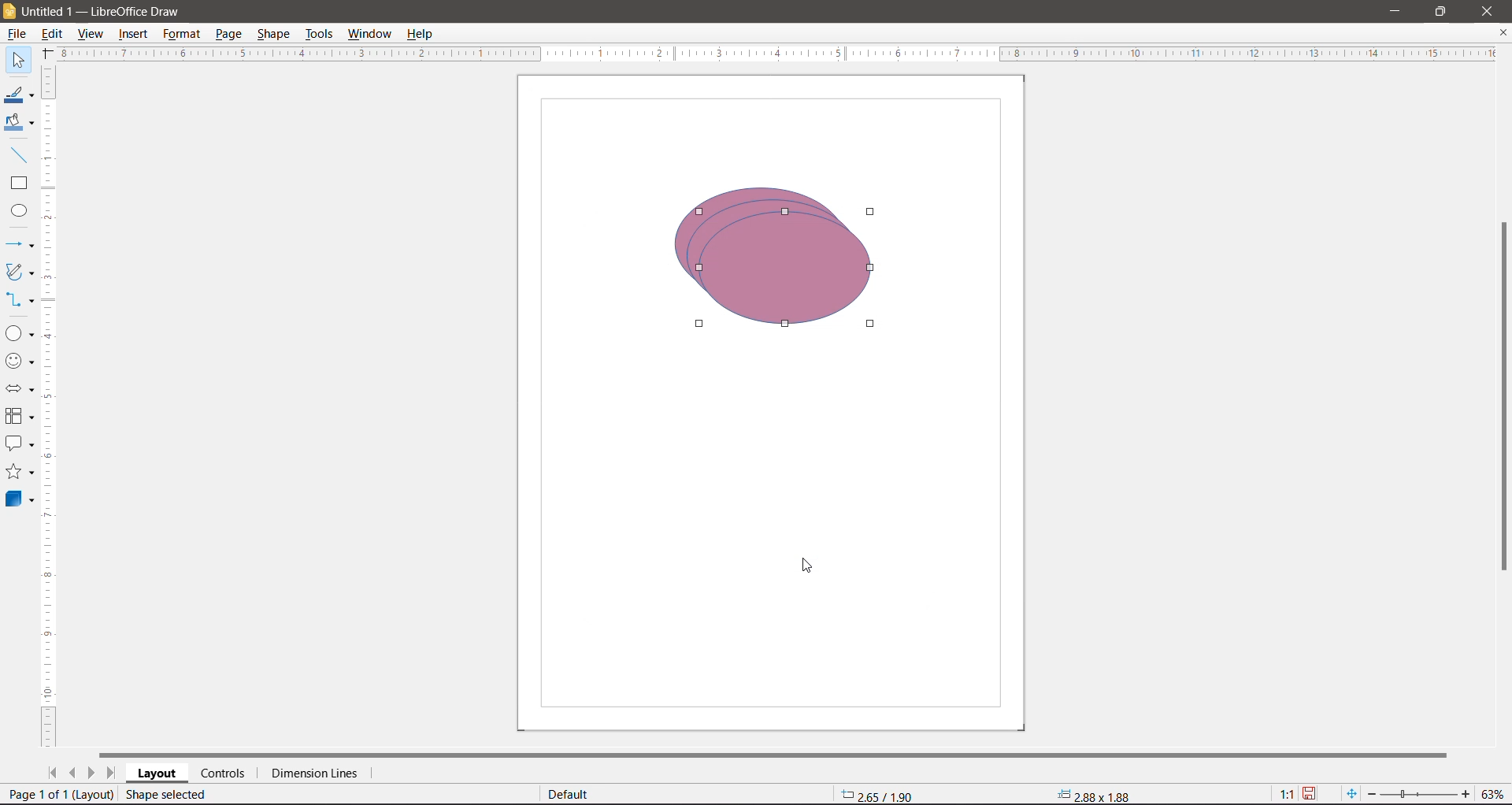  Describe the element at coordinates (1396, 12) in the screenshot. I see `Minimize` at that location.